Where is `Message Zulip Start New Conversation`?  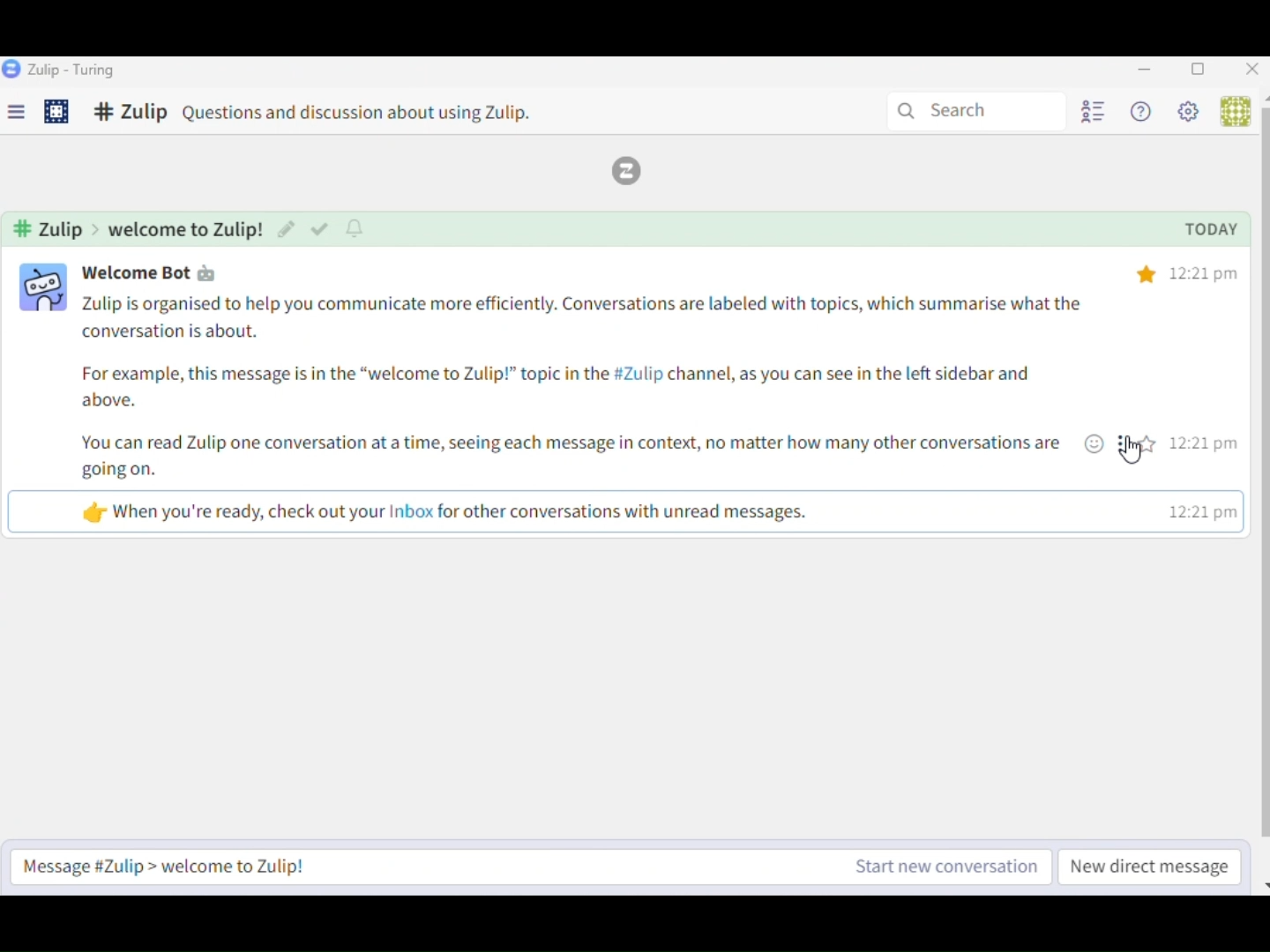
Message Zulip Start New Conversation is located at coordinates (531, 866).